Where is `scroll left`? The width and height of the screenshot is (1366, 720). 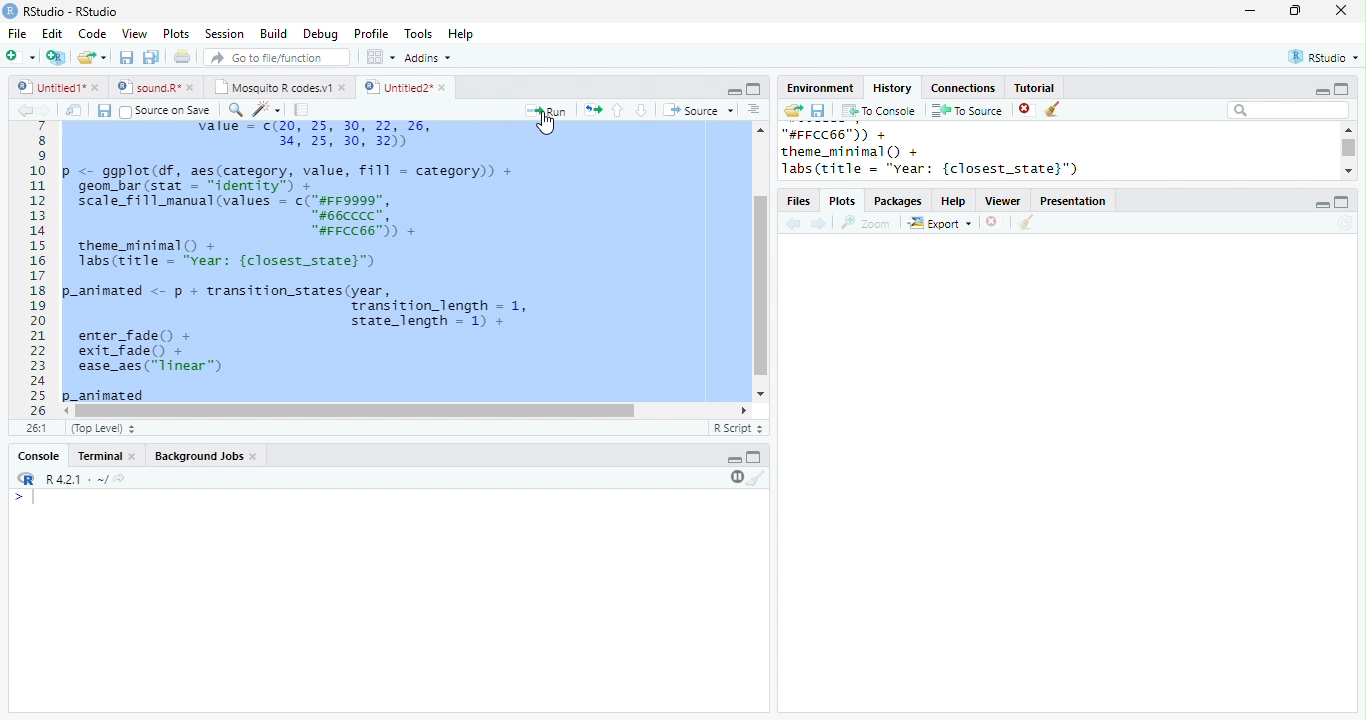 scroll left is located at coordinates (744, 410).